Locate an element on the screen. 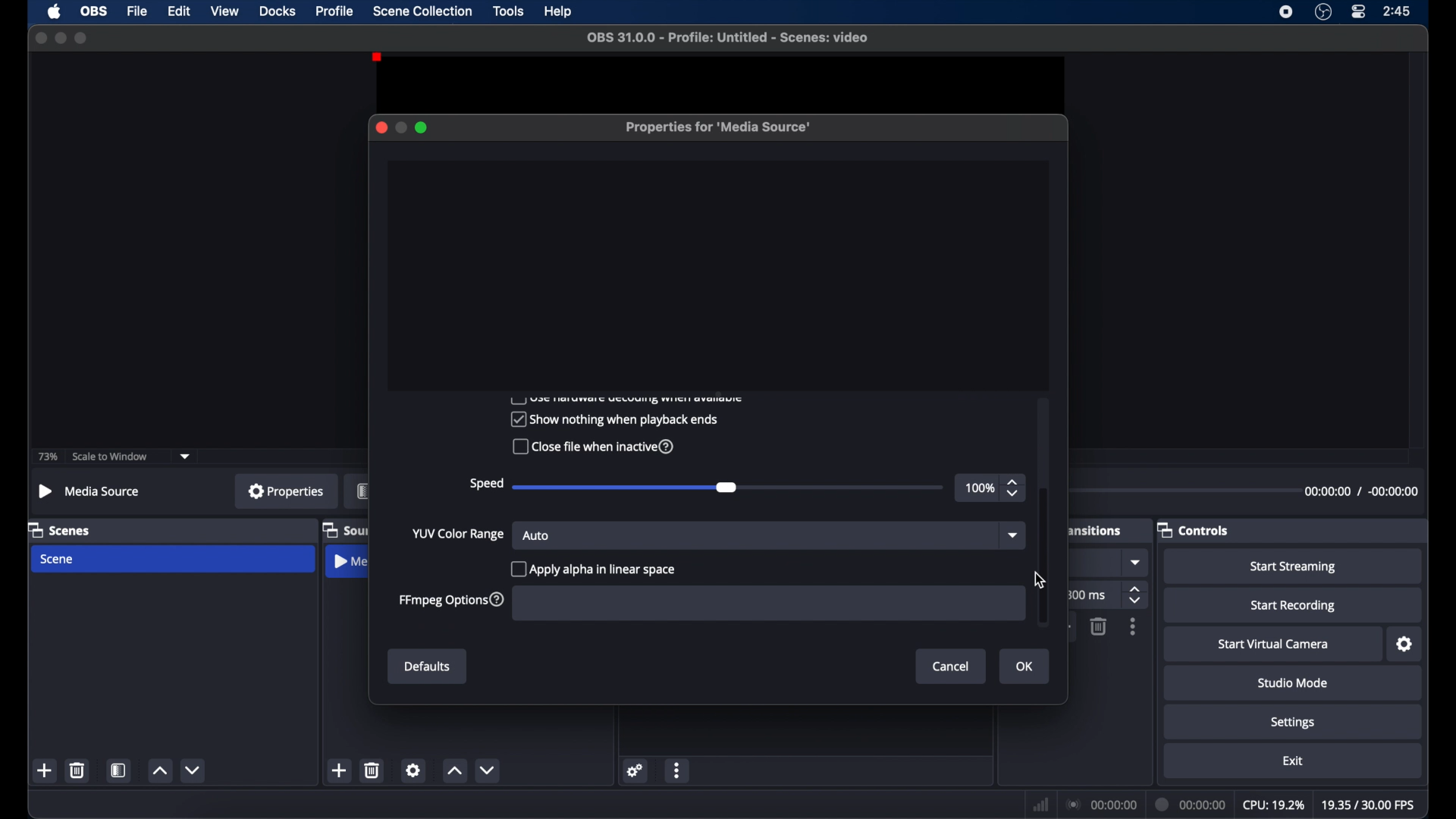 Image resolution: width=1456 pixels, height=819 pixels. scene collection is located at coordinates (422, 11).